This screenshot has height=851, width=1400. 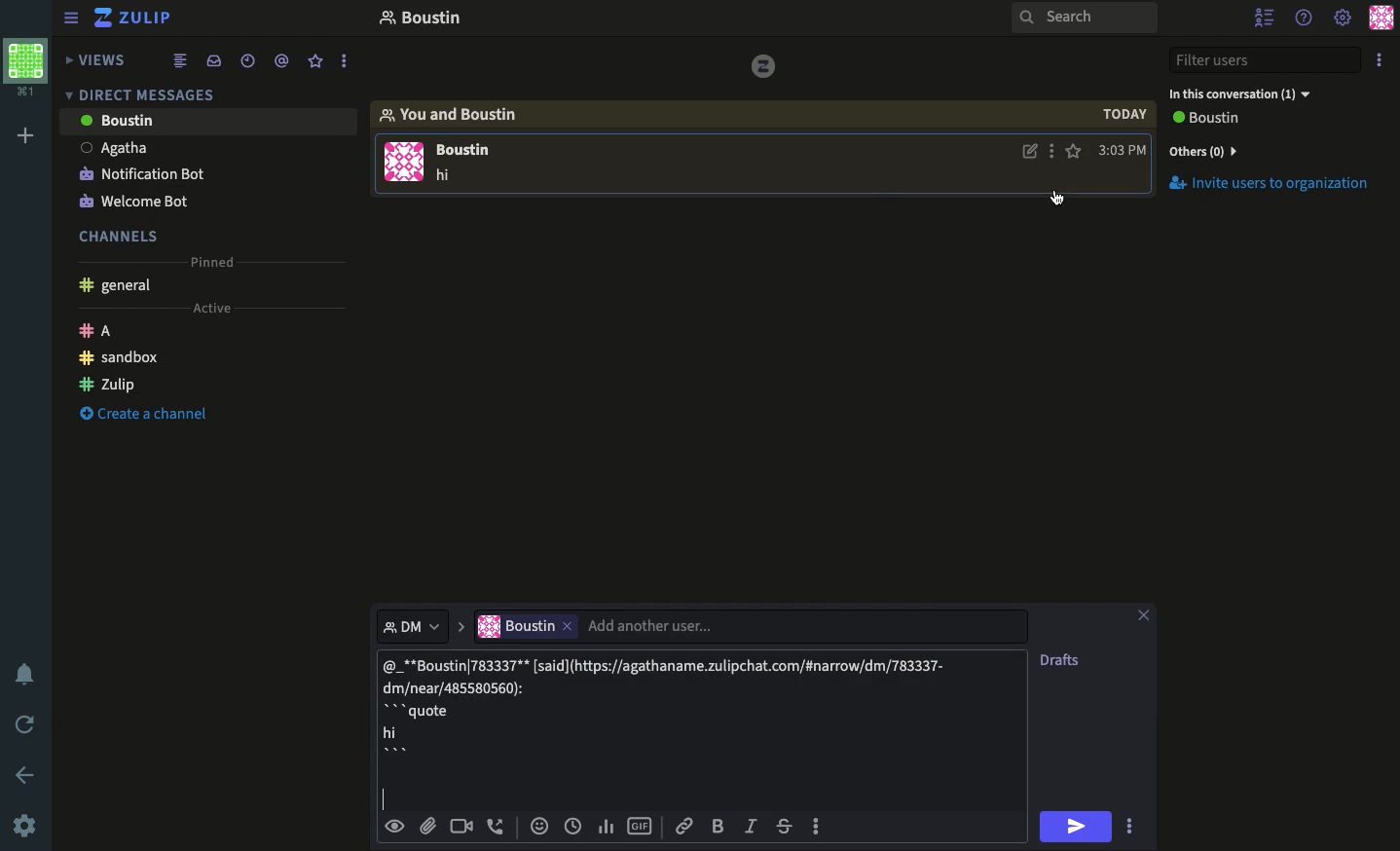 What do you see at coordinates (219, 308) in the screenshot?
I see `Active` at bounding box center [219, 308].